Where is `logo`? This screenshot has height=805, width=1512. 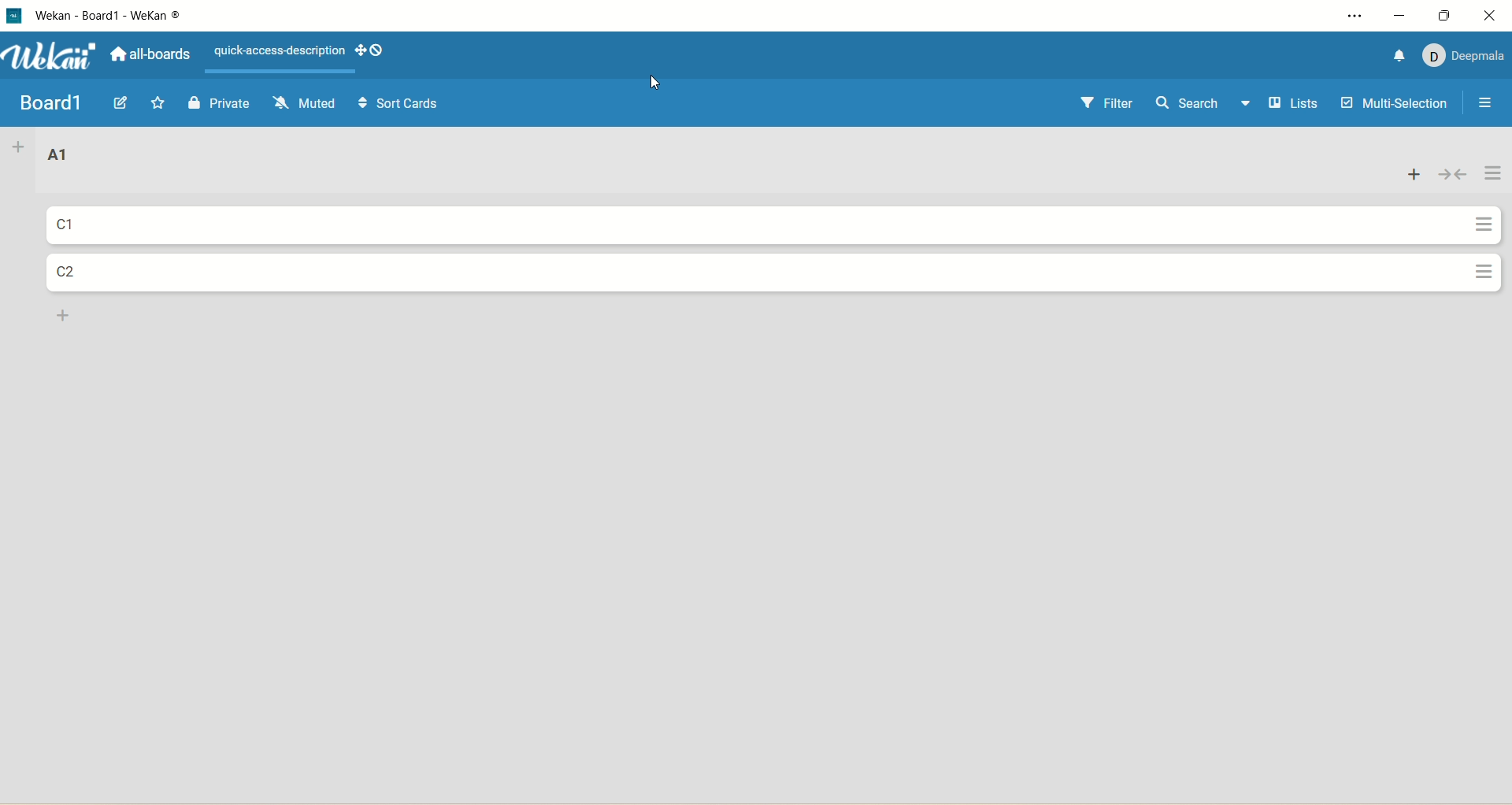 logo is located at coordinates (13, 16).